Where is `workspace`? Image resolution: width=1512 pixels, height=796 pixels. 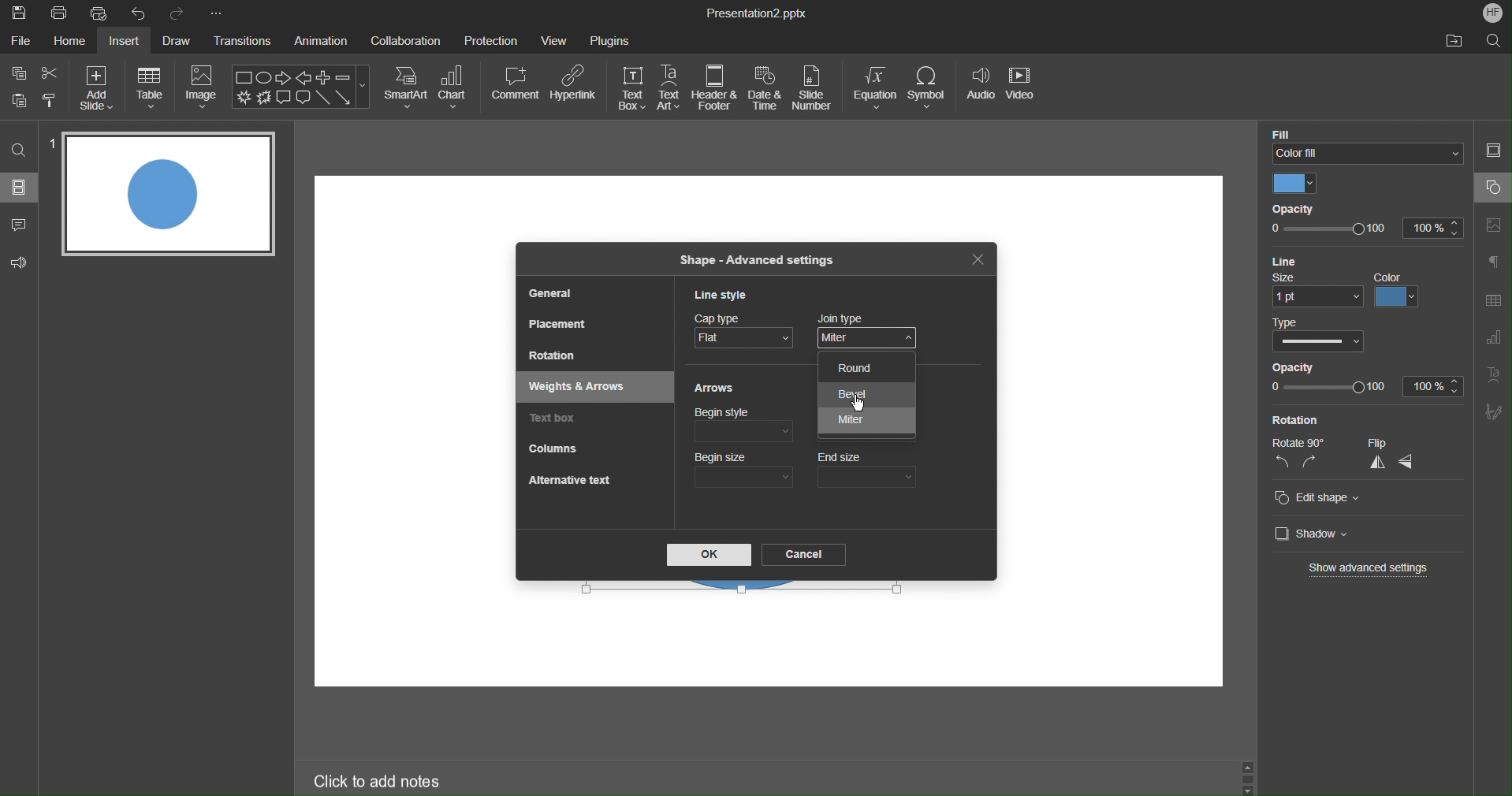 workspace is located at coordinates (756, 206).